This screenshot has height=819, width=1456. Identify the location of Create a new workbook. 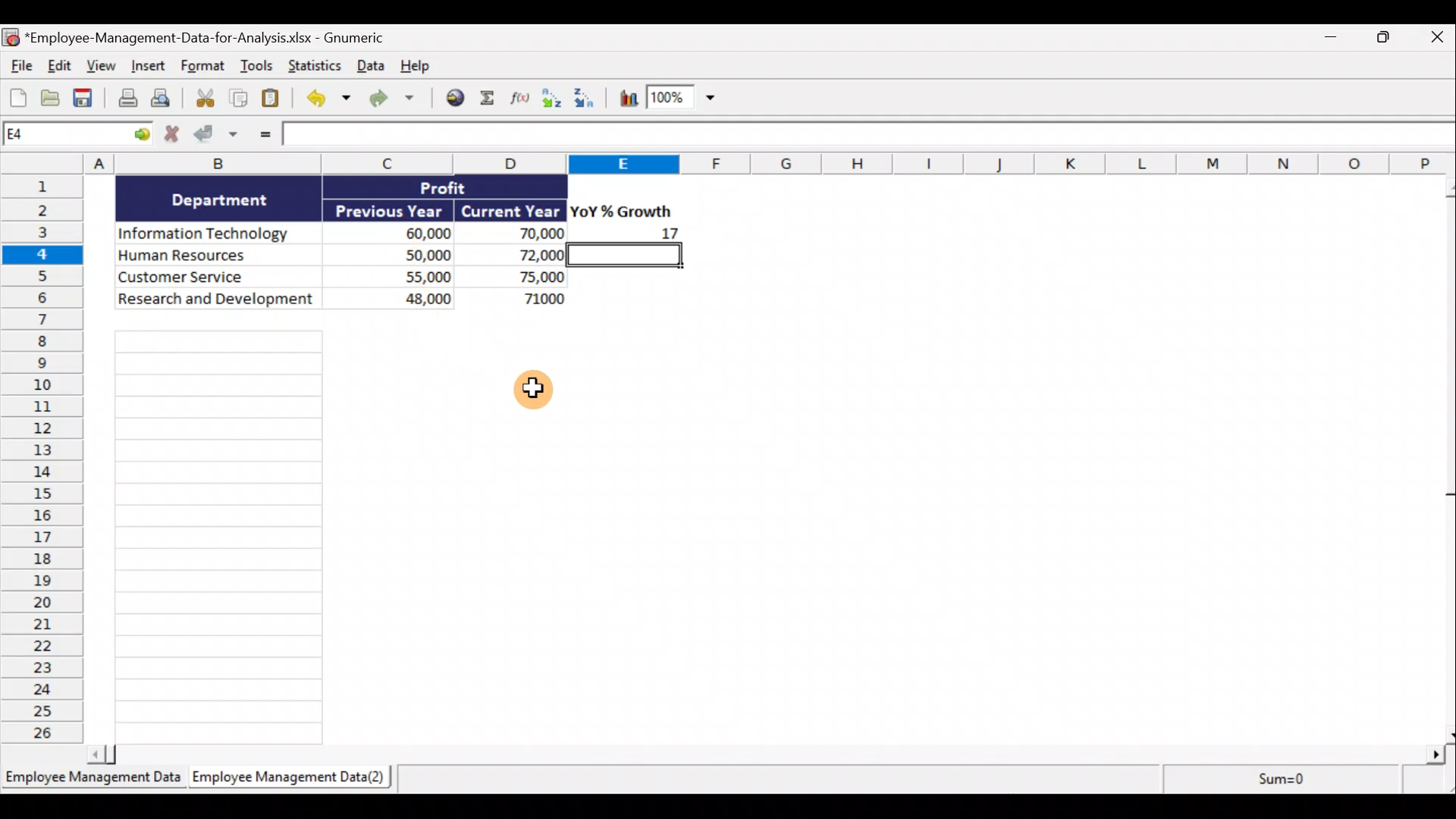
(18, 96).